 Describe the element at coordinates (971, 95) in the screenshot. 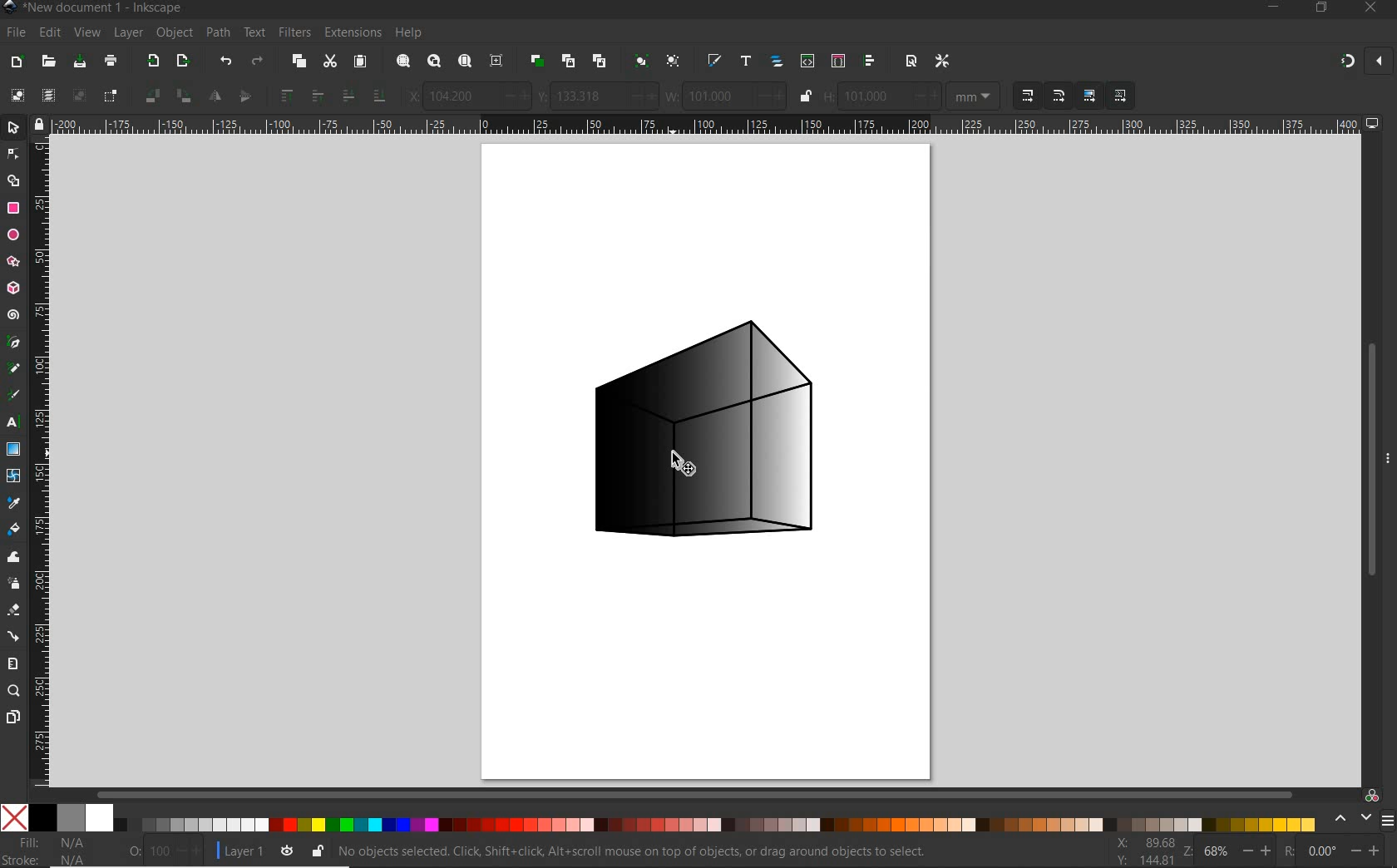

I see `MEASUREMENT` at that location.